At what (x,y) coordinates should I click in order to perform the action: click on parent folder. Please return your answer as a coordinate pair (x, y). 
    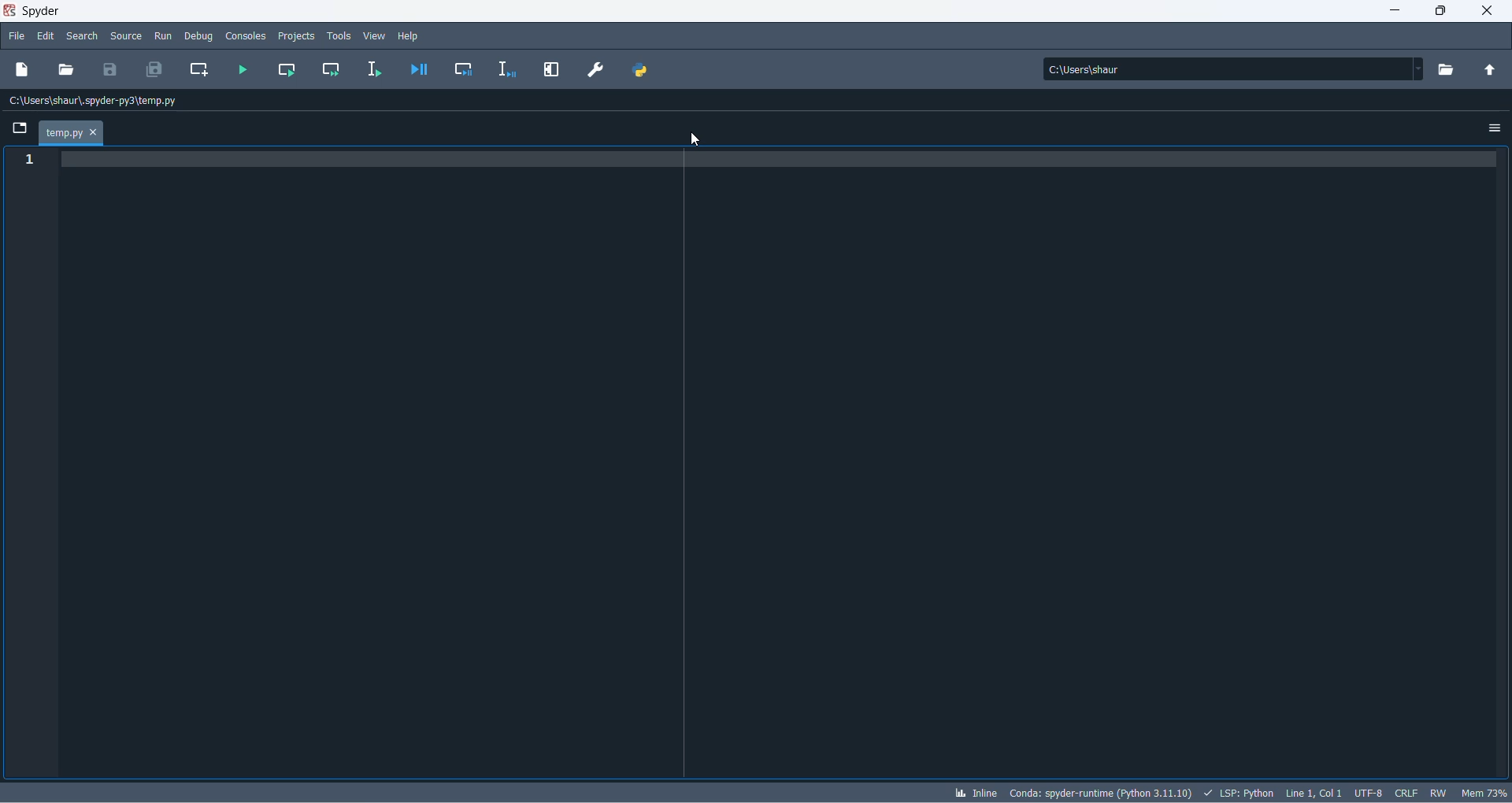
    Looking at the image, I should click on (1492, 71).